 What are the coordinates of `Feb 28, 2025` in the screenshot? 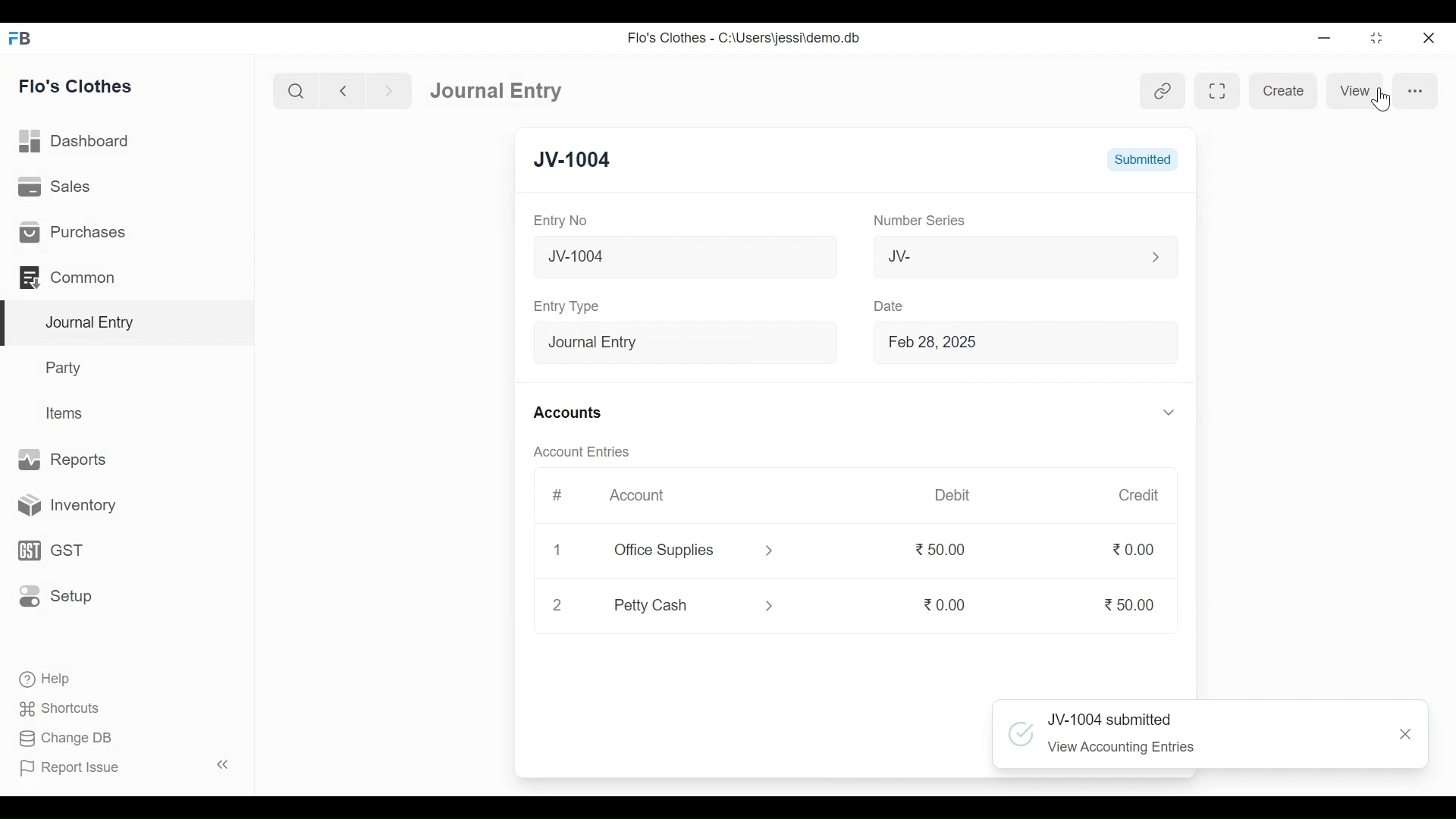 It's located at (1011, 345).